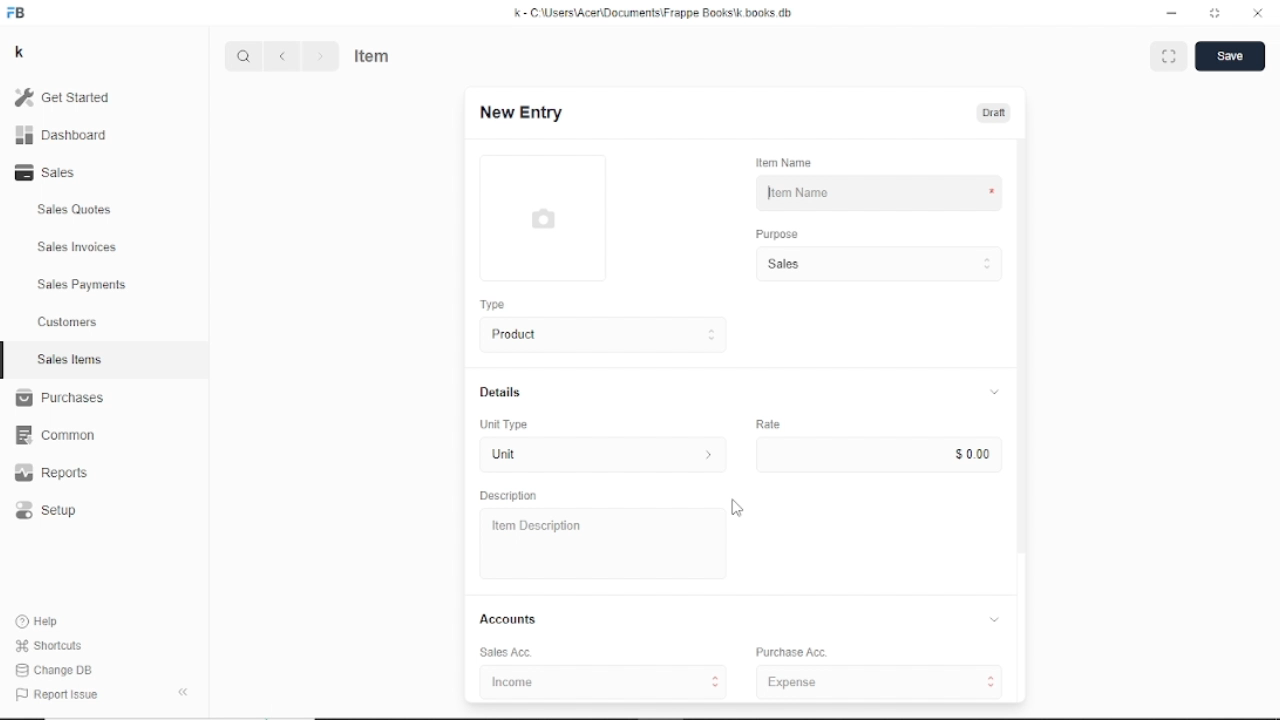 The height and width of the screenshot is (720, 1280). Describe the element at coordinates (492, 304) in the screenshot. I see `Type` at that location.